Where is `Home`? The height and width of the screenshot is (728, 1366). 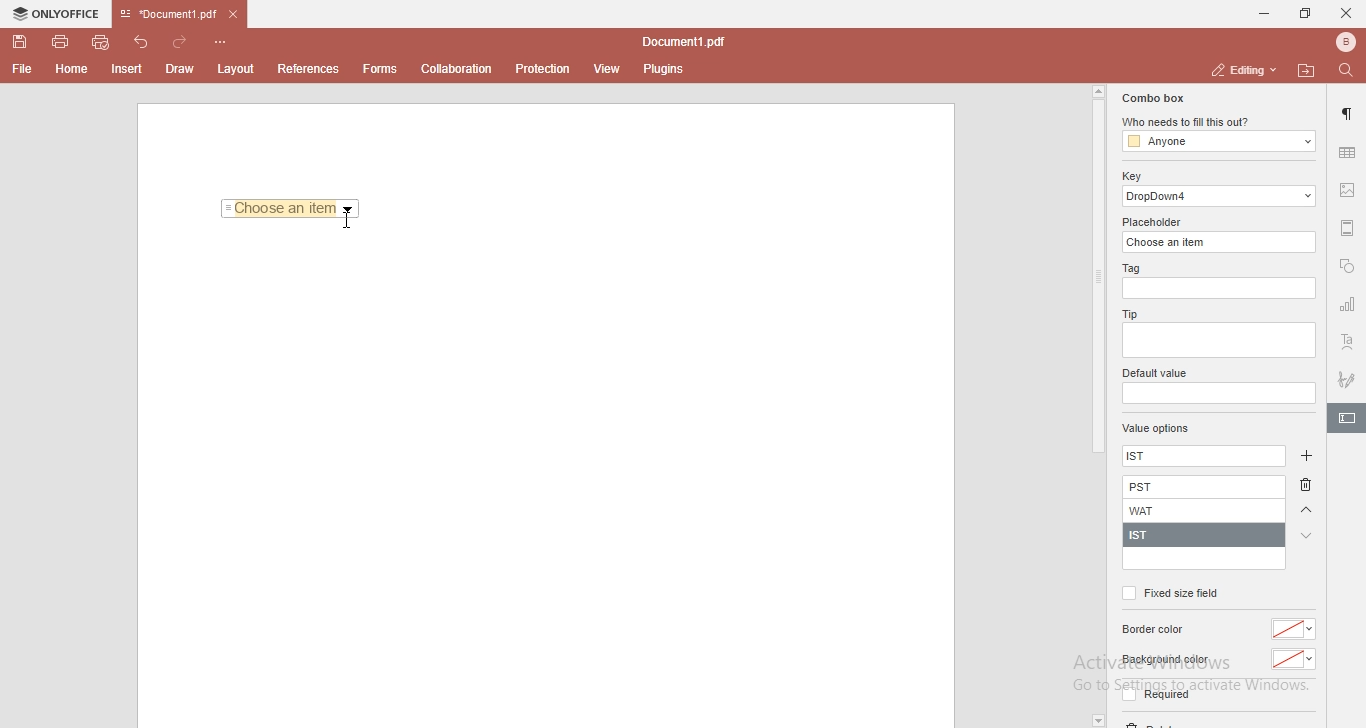 Home is located at coordinates (73, 72).